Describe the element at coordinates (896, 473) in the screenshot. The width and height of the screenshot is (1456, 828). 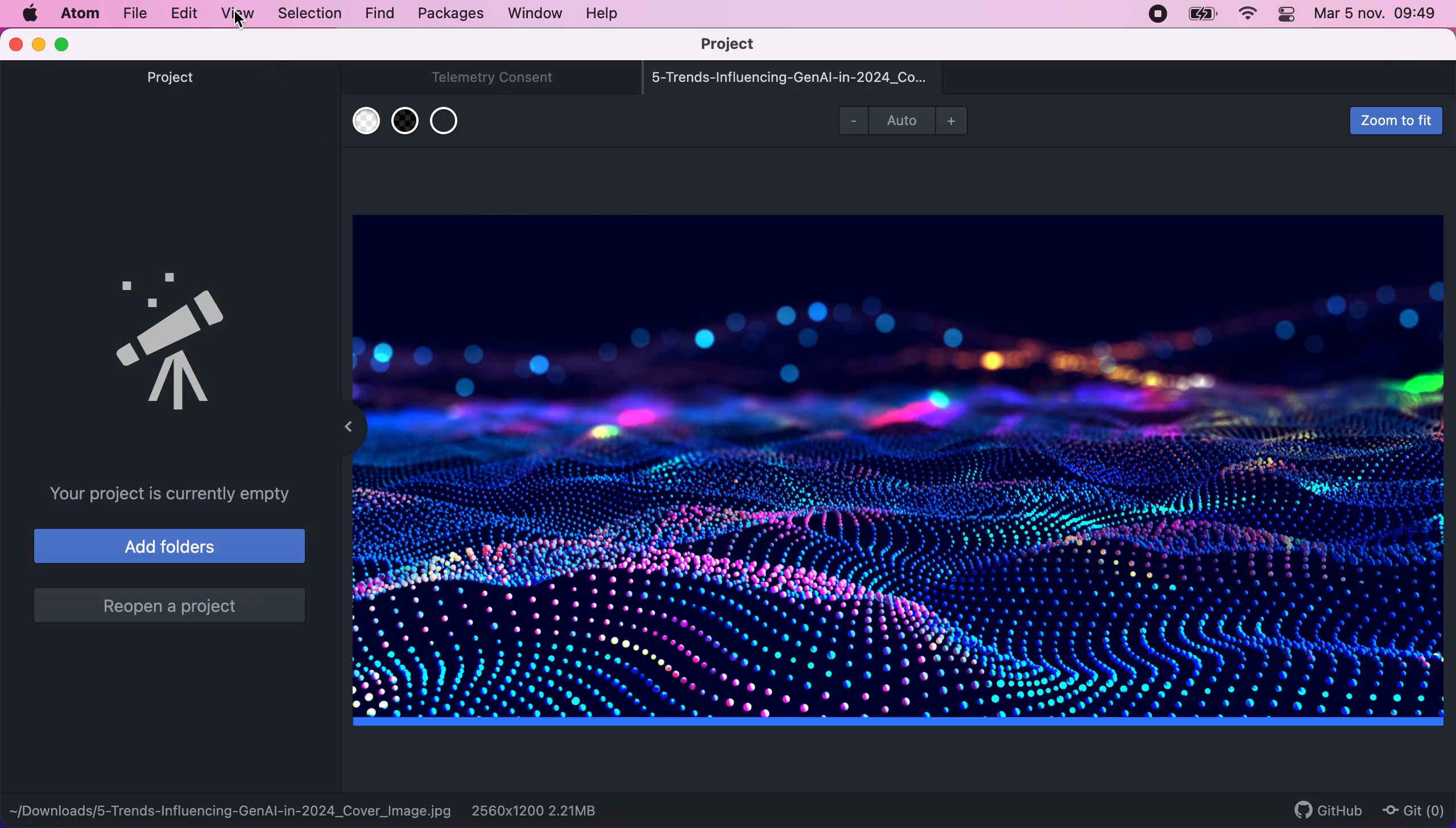
I see `file image` at that location.